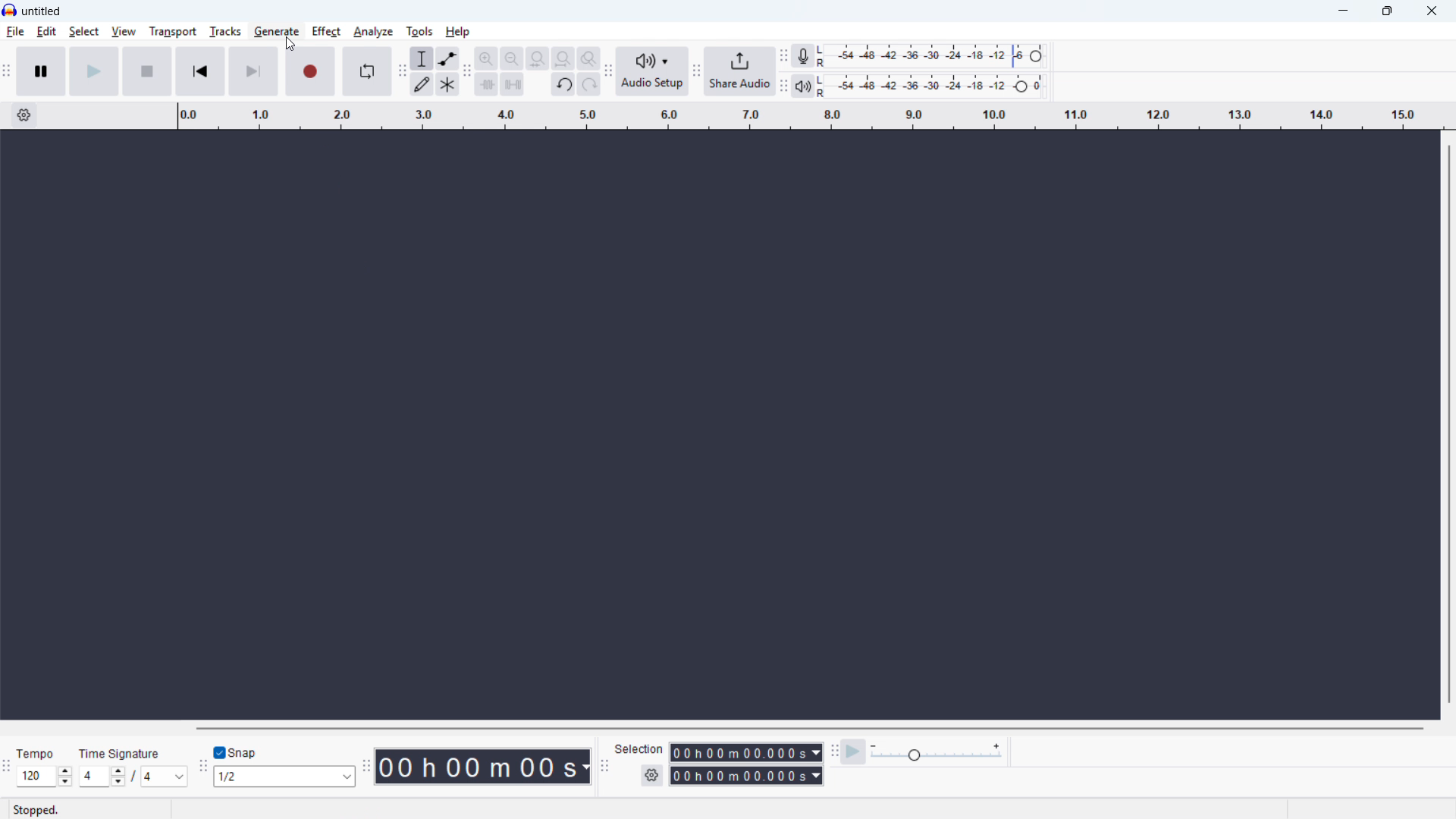  I want to click on Selection start time , so click(747, 752).